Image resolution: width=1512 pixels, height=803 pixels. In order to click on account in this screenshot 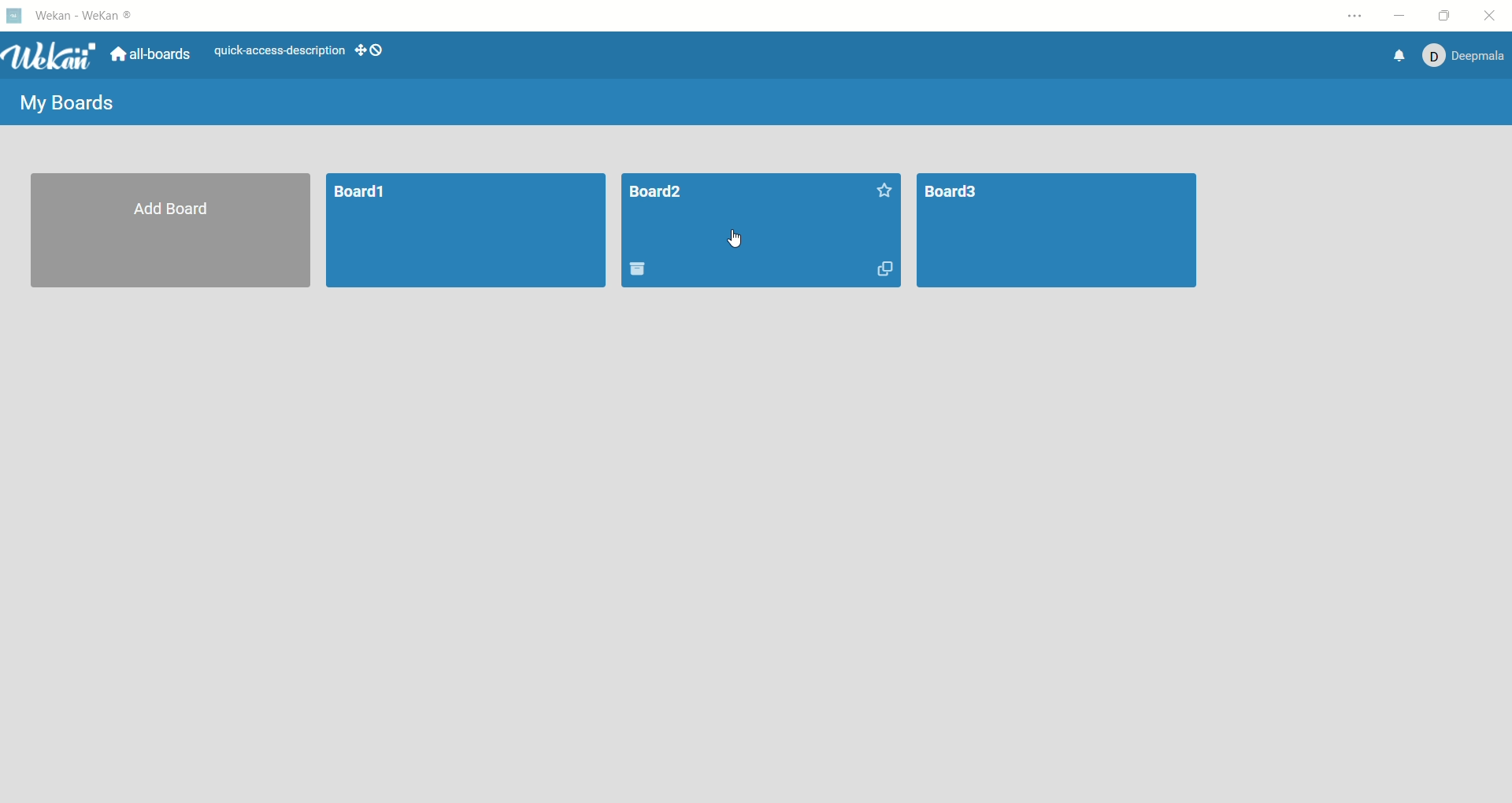, I will do `click(1466, 57)`.